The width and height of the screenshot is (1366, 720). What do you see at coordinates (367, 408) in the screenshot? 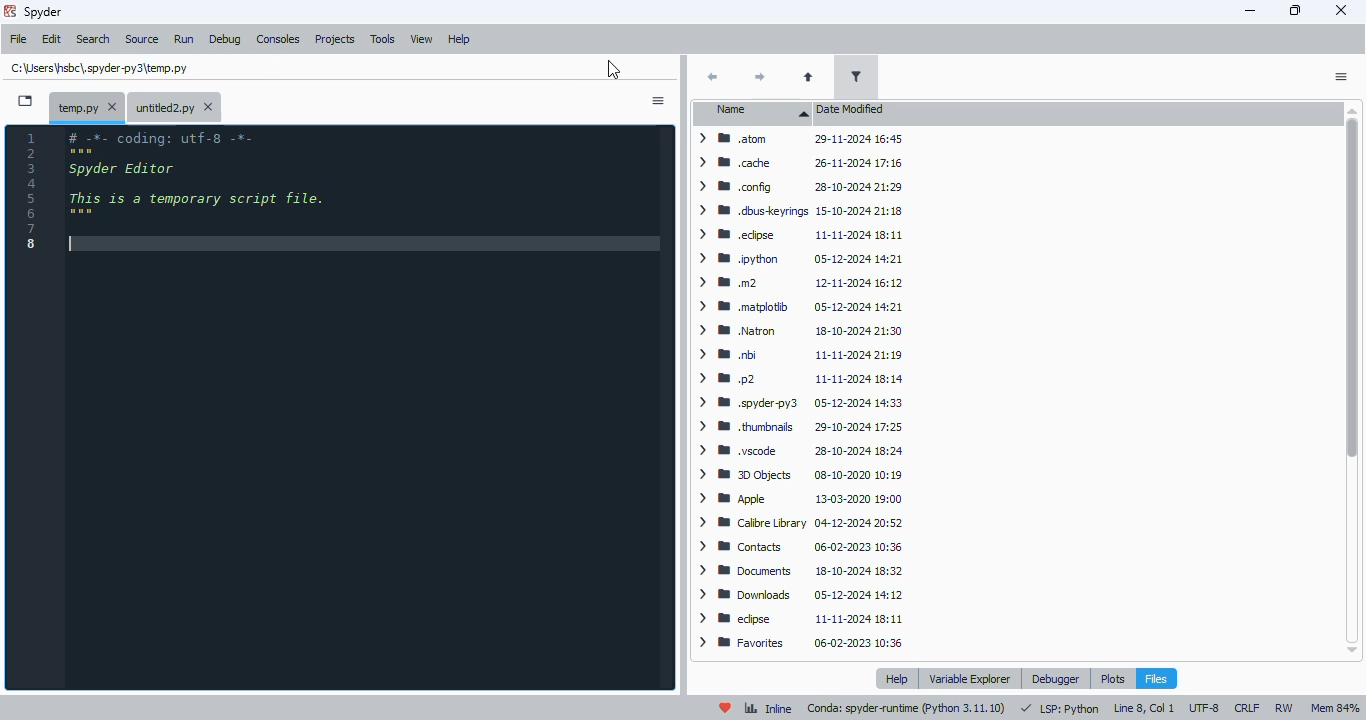
I see `editor` at bounding box center [367, 408].